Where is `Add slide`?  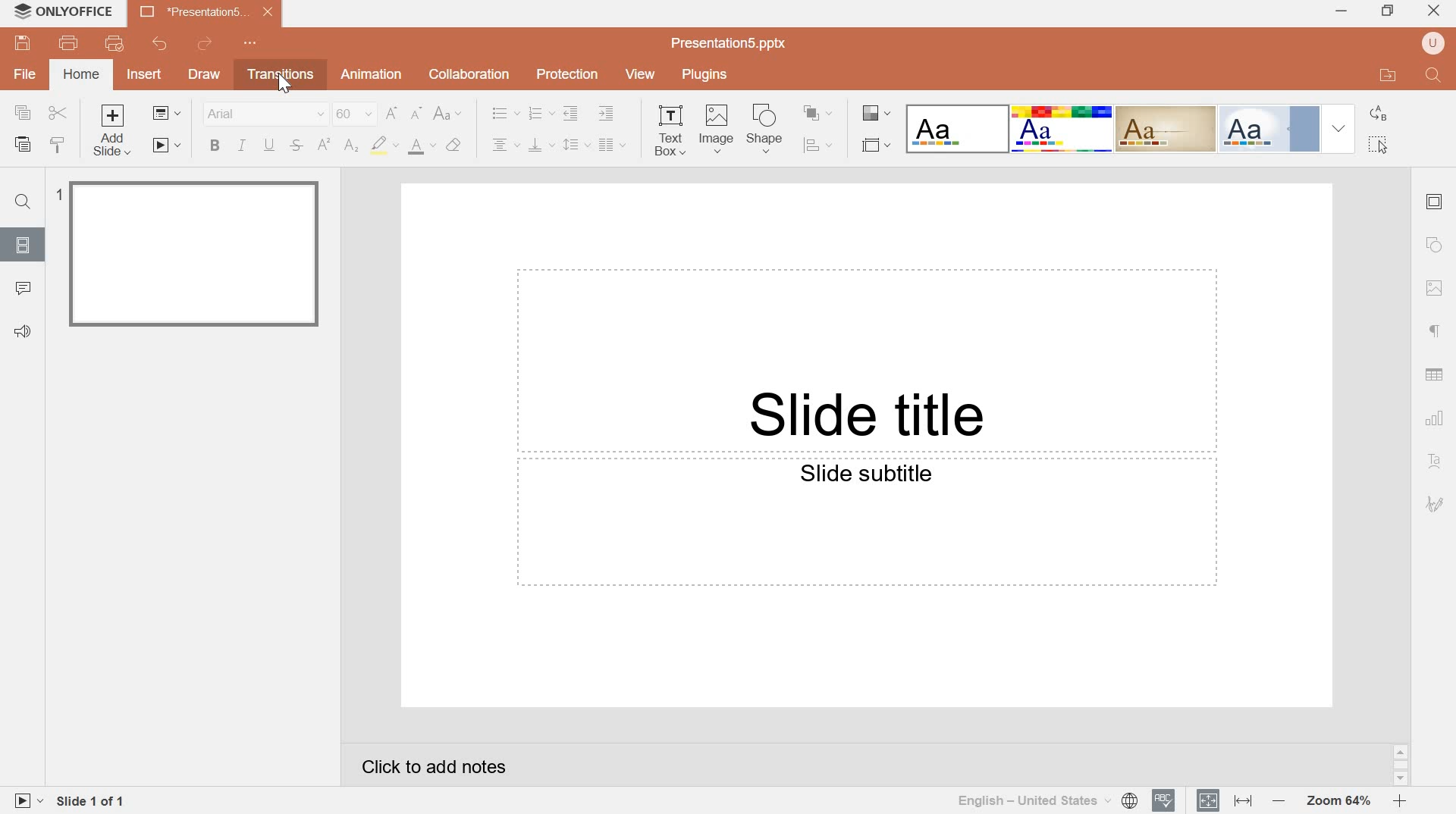
Add slide is located at coordinates (113, 132).